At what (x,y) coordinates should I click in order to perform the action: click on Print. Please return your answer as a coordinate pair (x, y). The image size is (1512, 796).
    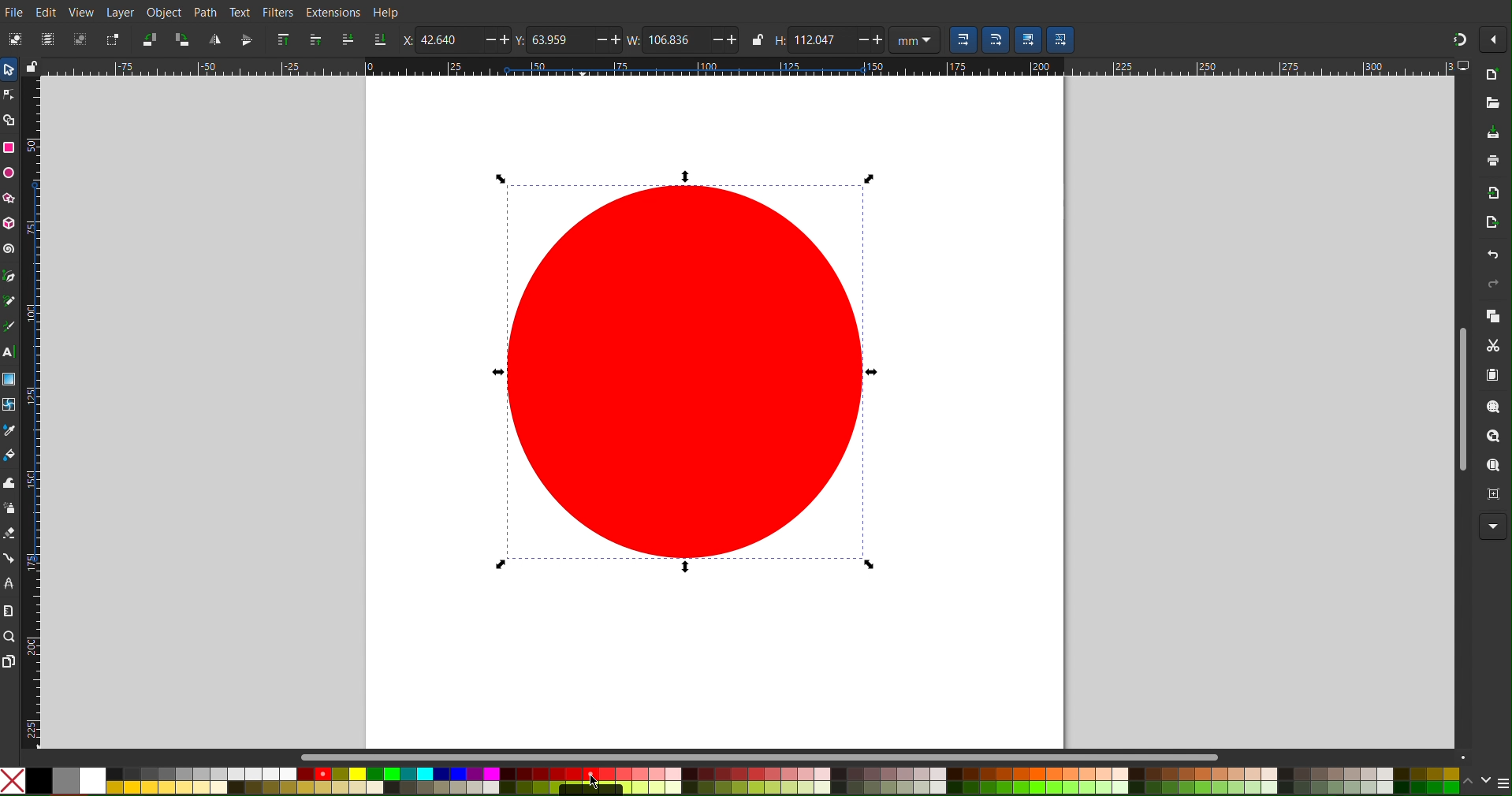
    Looking at the image, I should click on (1490, 164).